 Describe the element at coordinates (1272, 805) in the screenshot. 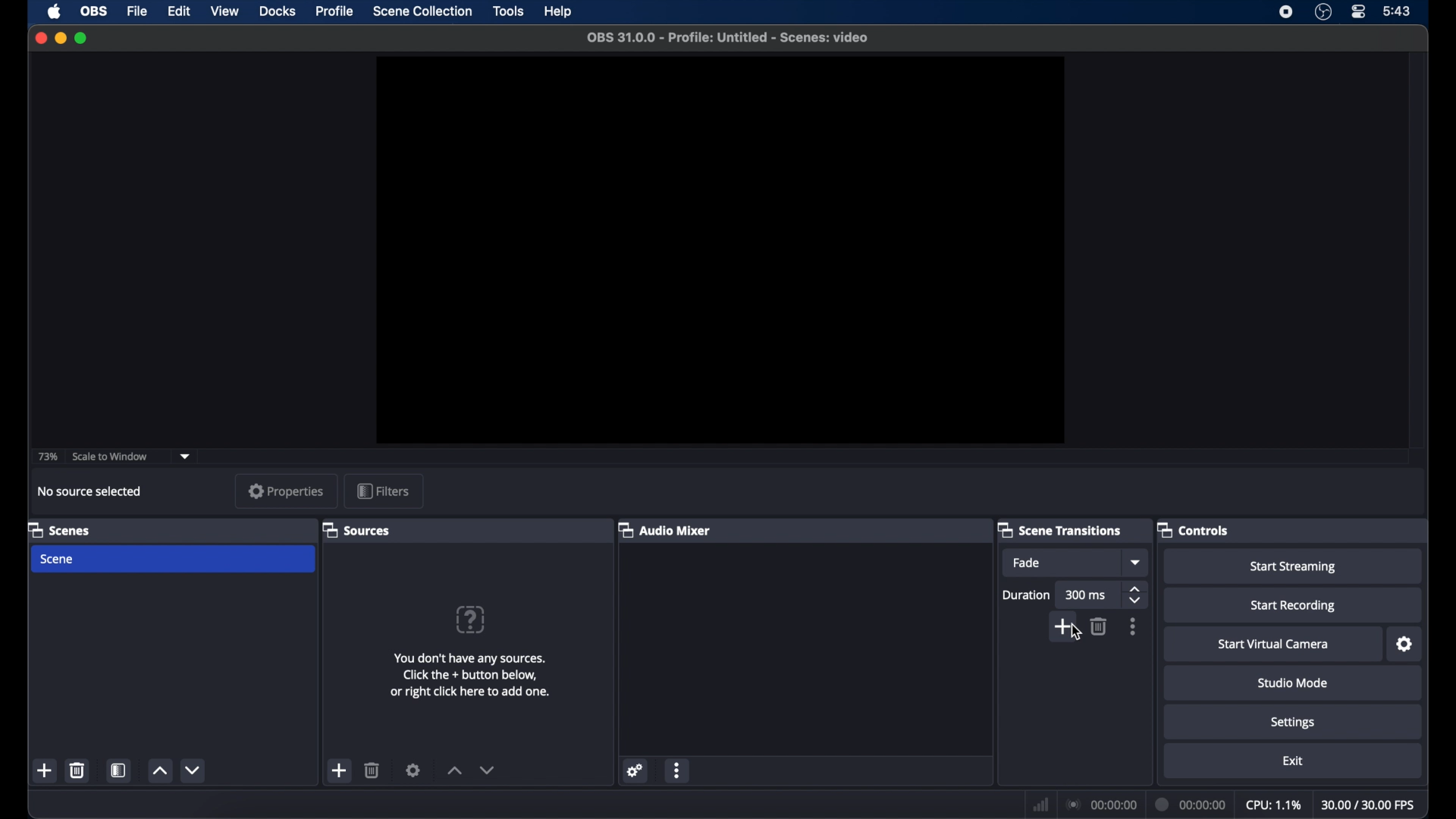

I see `cpu` at that location.